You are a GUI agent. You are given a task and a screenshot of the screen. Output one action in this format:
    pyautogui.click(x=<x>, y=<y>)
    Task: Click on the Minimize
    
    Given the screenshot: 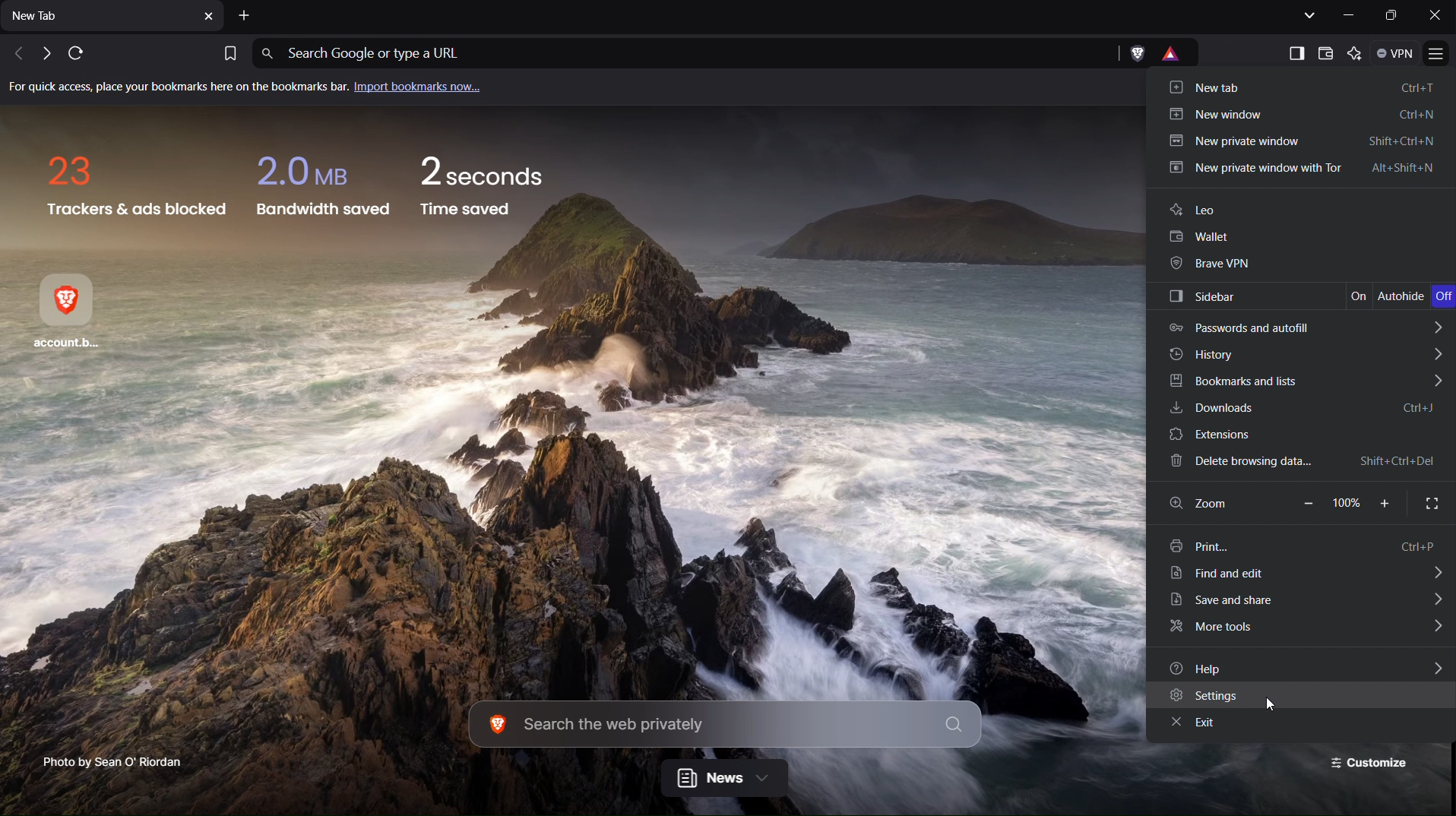 What is the action you would take?
    pyautogui.click(x=1350, y=15)
    